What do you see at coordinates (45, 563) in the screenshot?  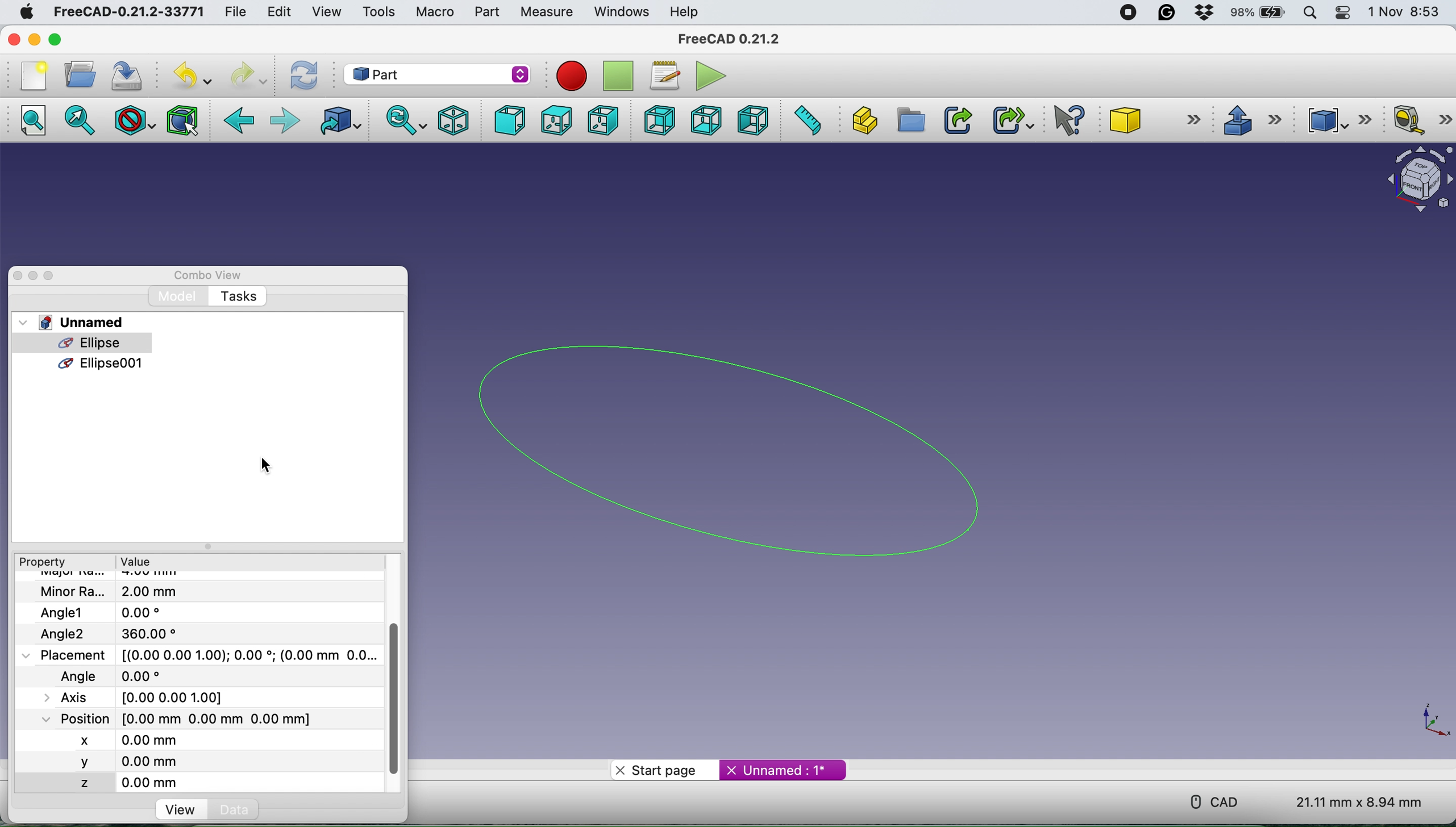 I see `property` at bounding box center [45, 563].